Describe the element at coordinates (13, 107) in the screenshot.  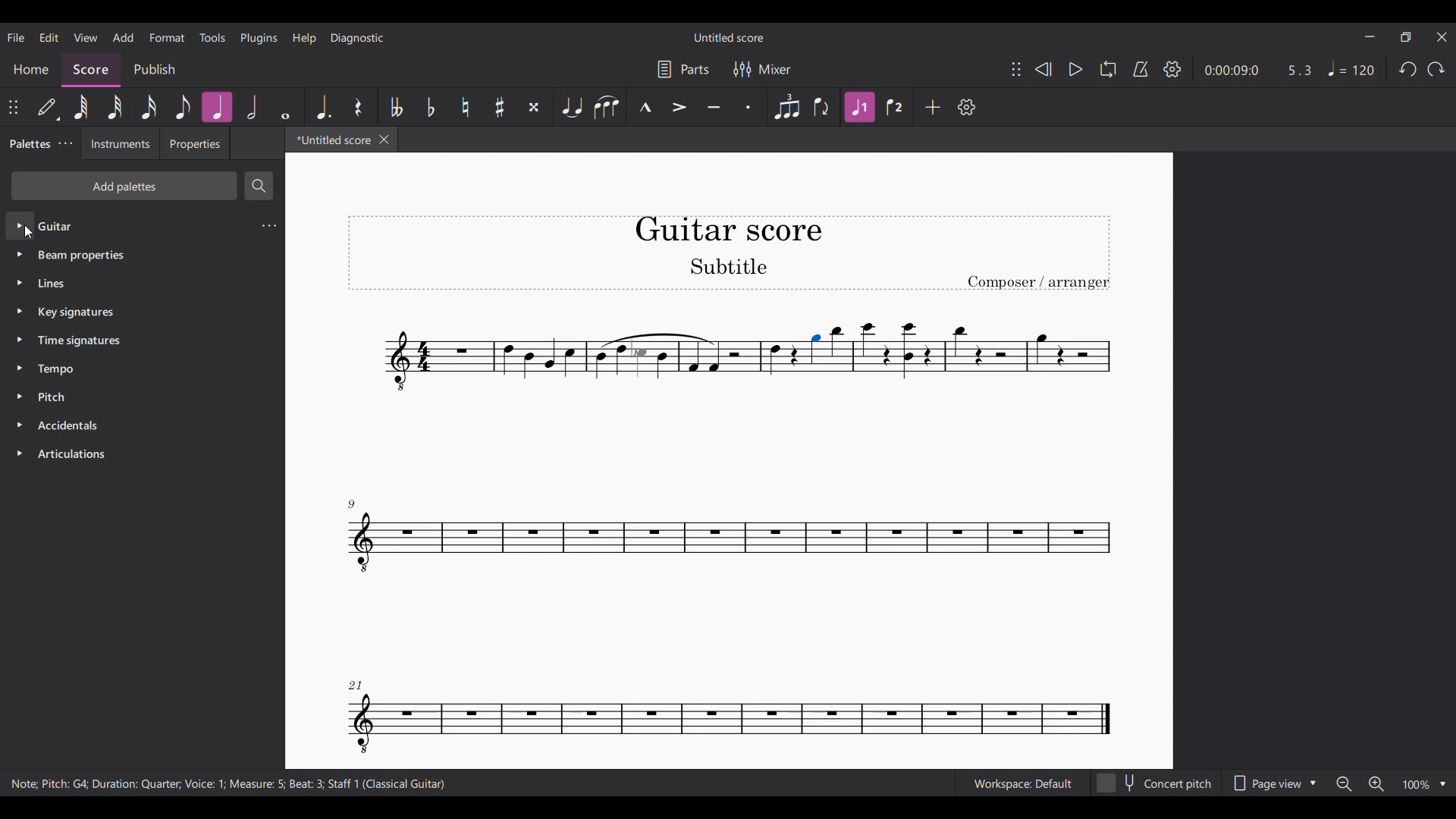
I see `Change position` at that location.